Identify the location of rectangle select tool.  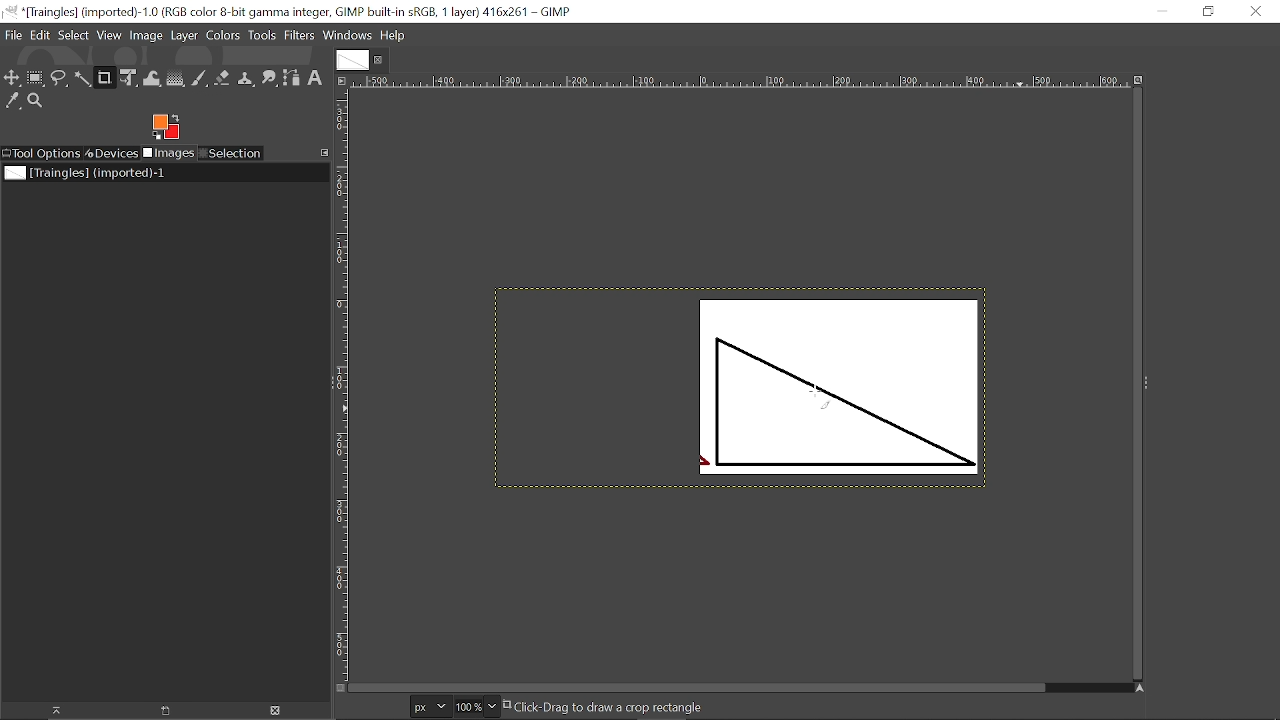
(37, 78).